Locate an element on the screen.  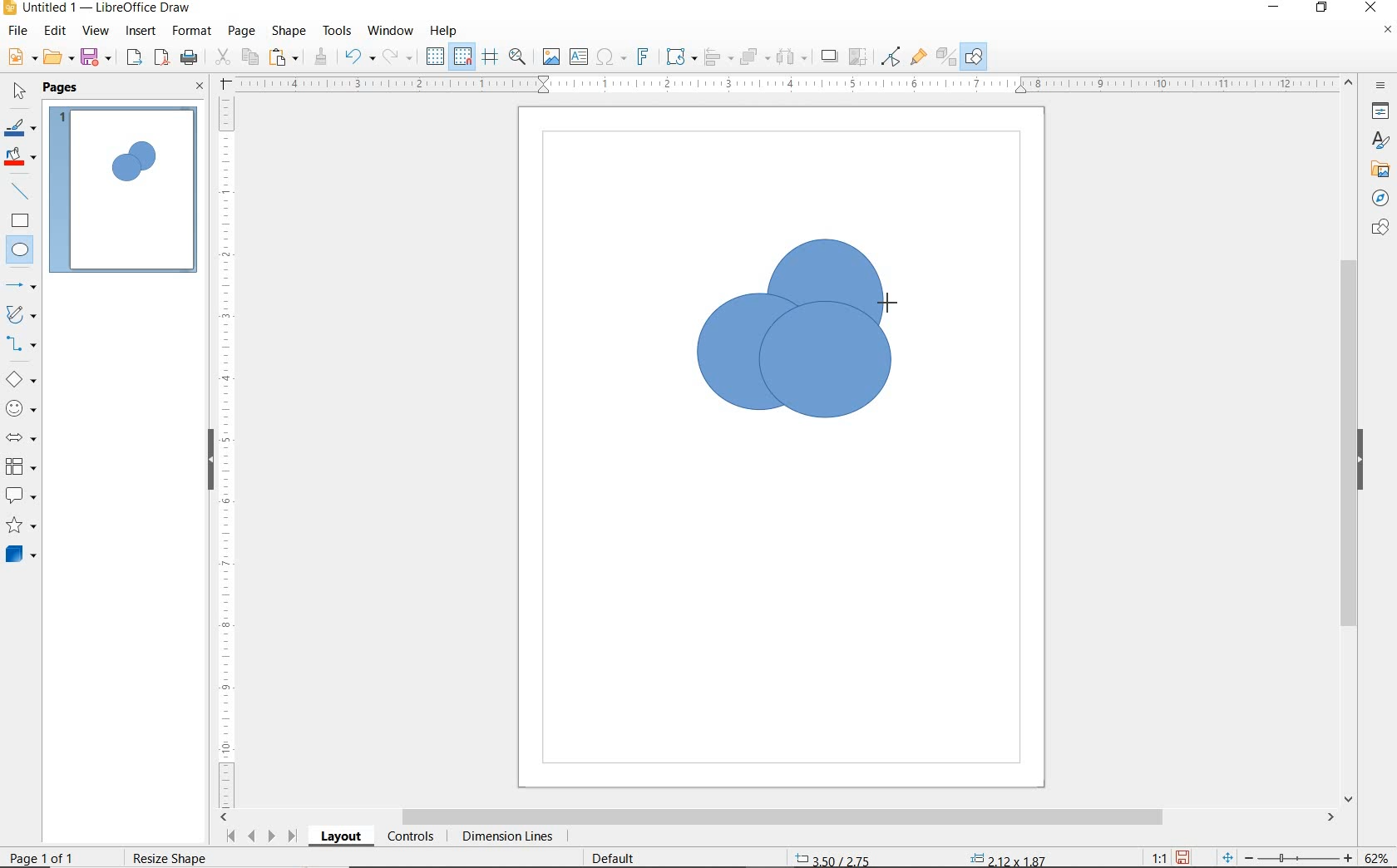
FILL COLOR is located at coordinates (22, 158).